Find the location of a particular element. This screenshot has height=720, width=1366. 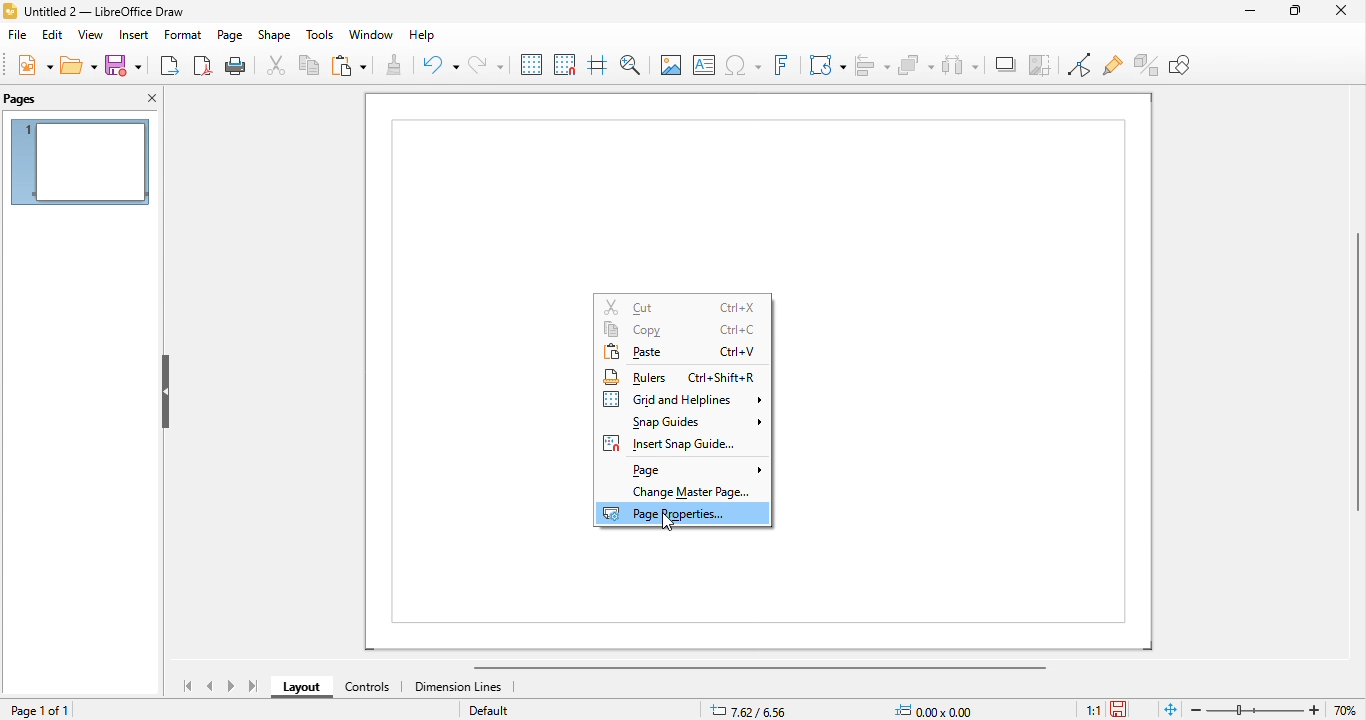

window is located at coordinates (372, 35).